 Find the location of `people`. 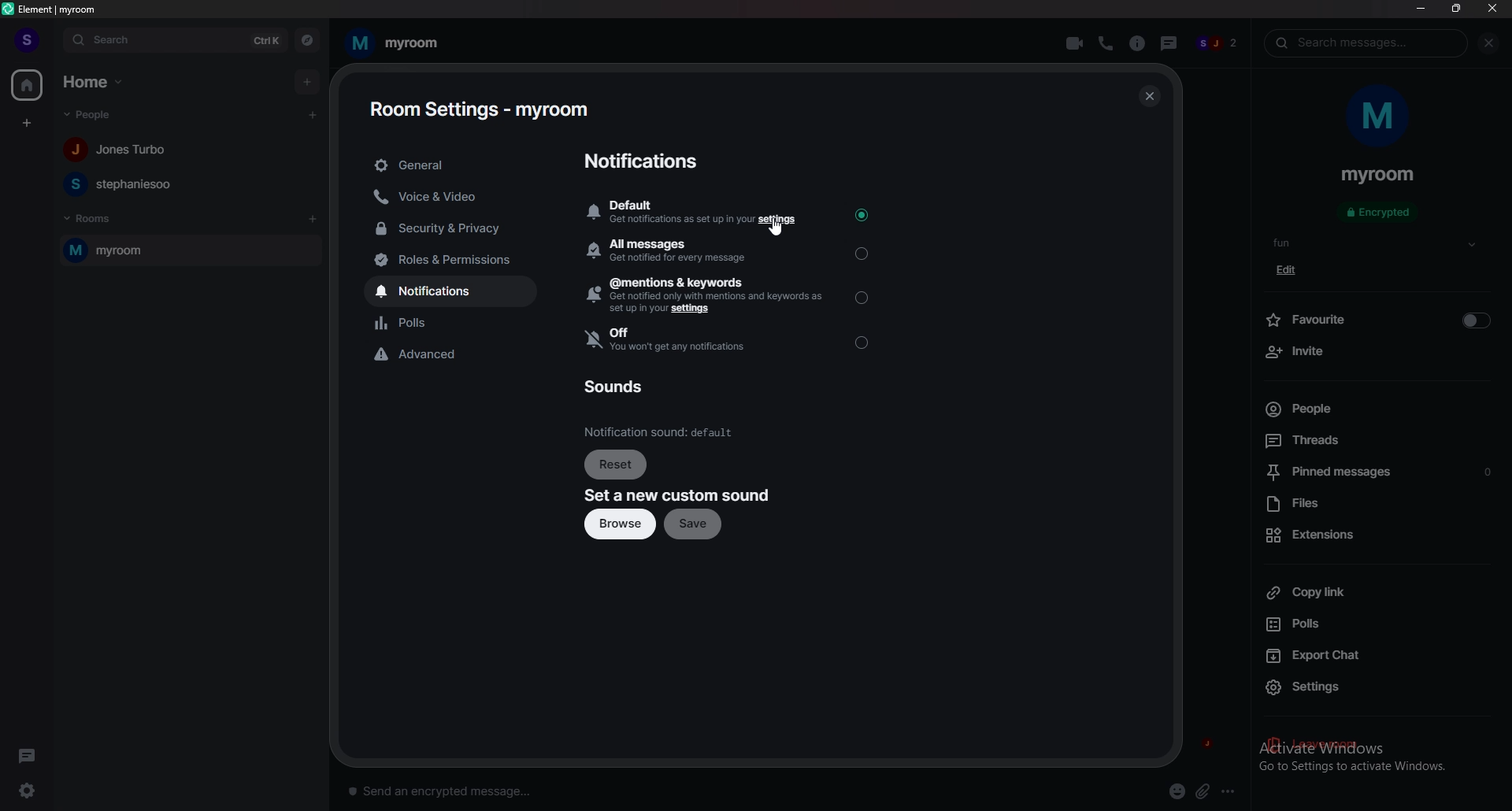

people is located at coordinates (1367, 409).